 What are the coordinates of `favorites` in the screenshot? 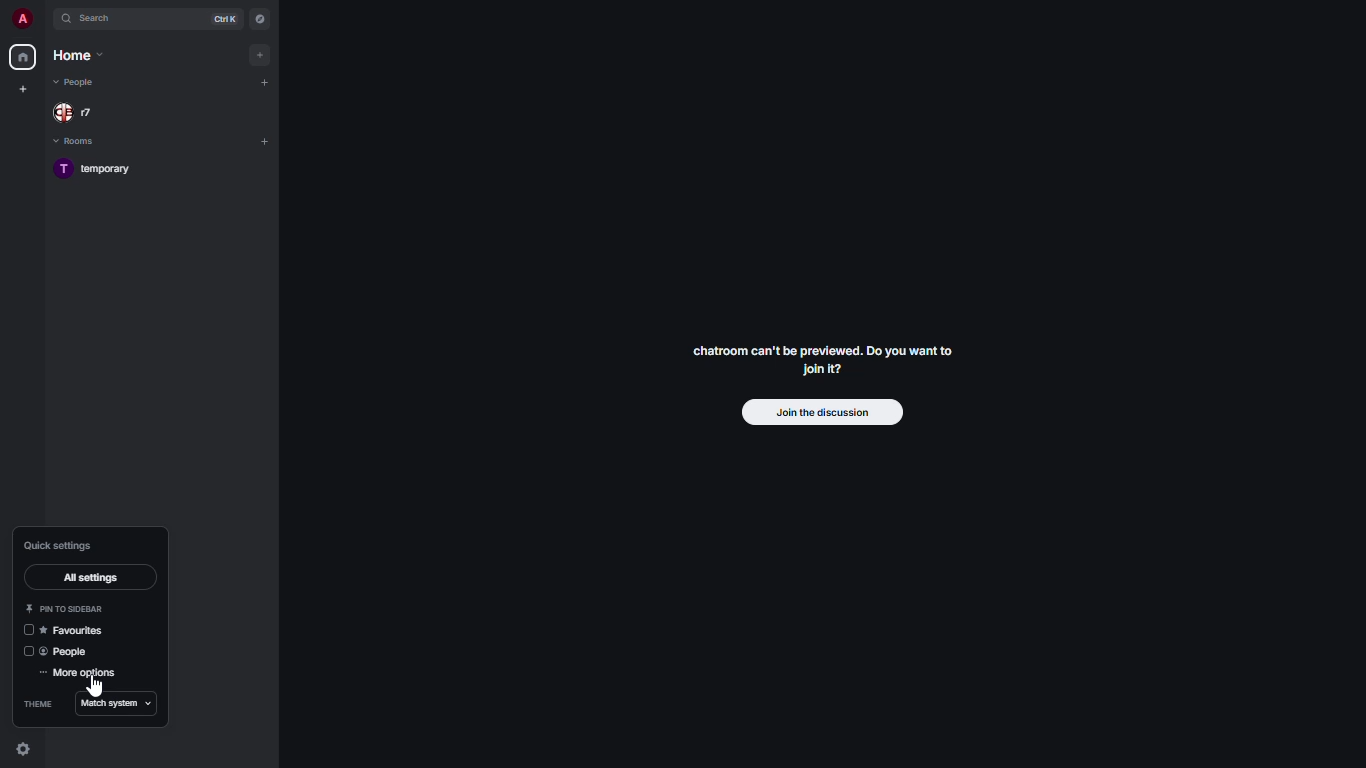 It's located at (73, 633).